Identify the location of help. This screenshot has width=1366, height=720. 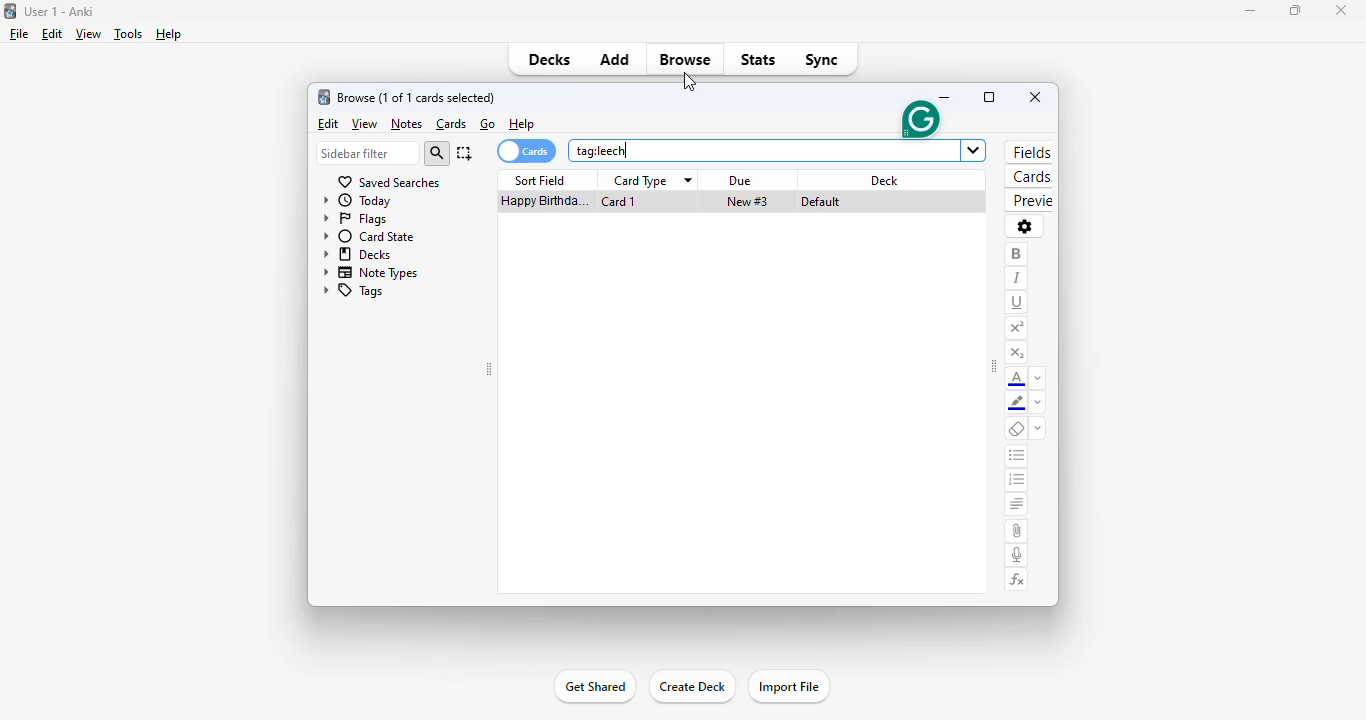
(169, 34).